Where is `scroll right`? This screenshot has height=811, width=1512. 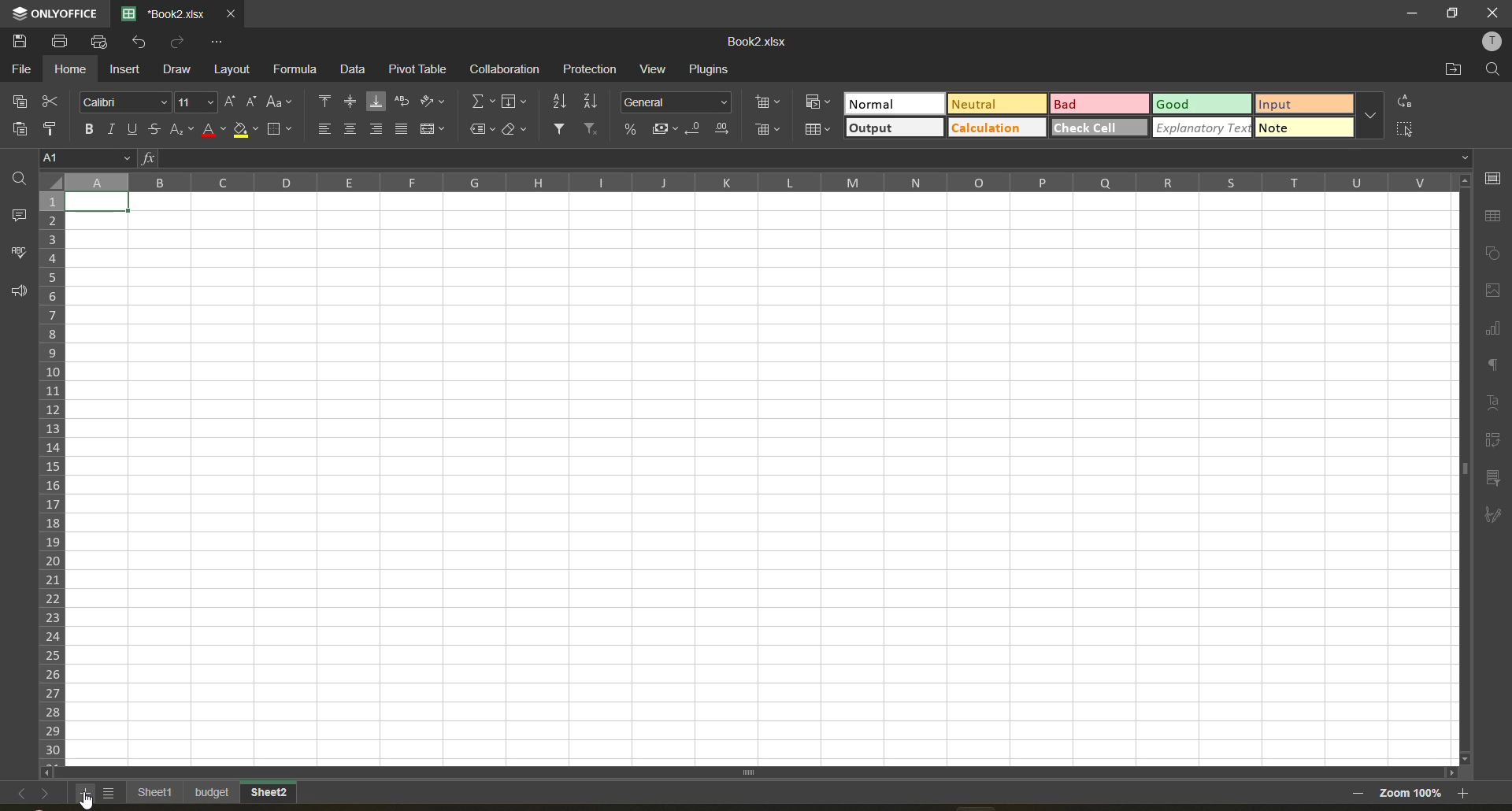 scroll right is located at coordinates (1449, 773).